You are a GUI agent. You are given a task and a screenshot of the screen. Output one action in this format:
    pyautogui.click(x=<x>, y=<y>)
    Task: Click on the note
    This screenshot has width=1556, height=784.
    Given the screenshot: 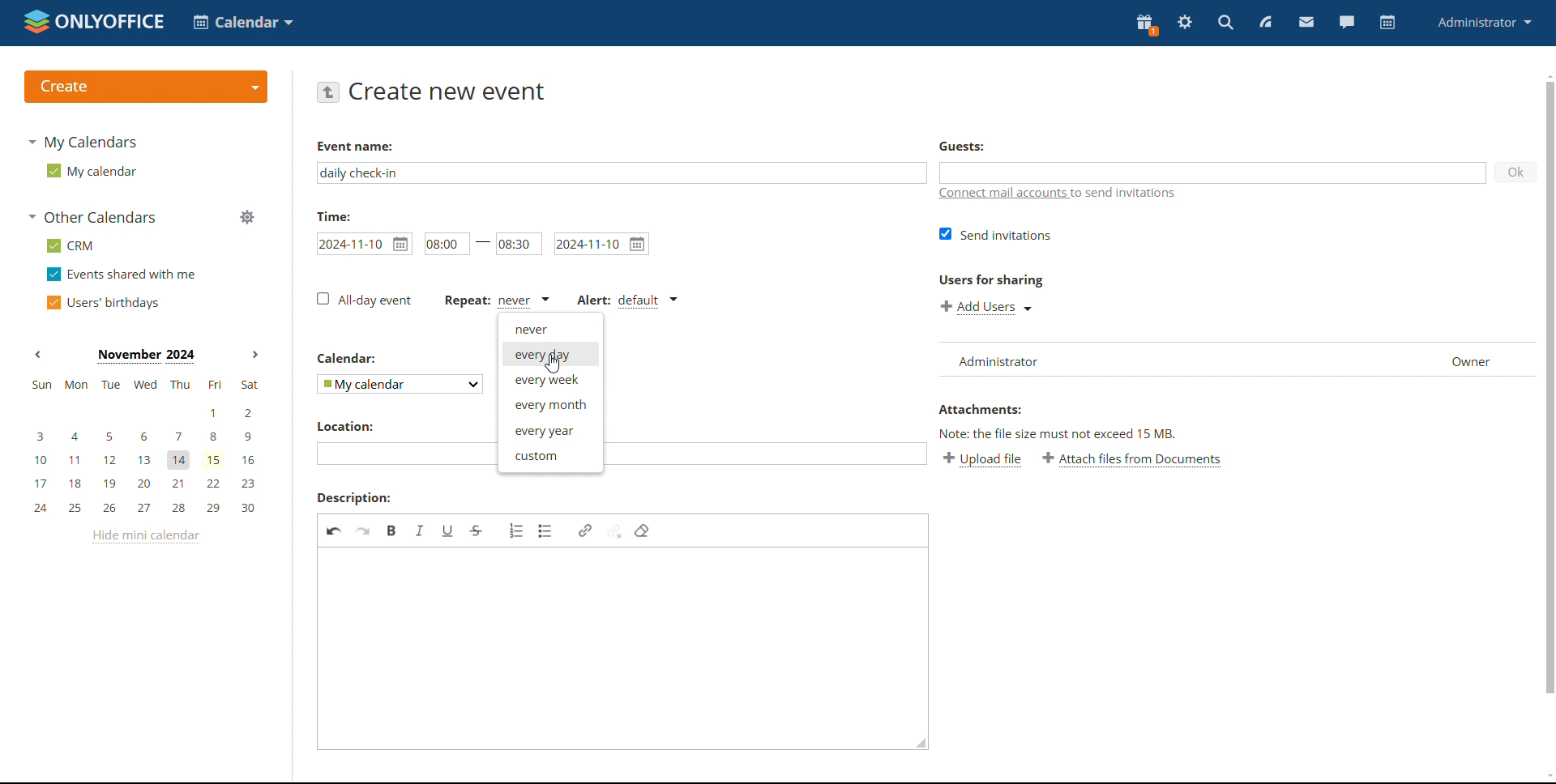 What is the action you would take?
    pyautogui.click(x=1084, y=435)
    